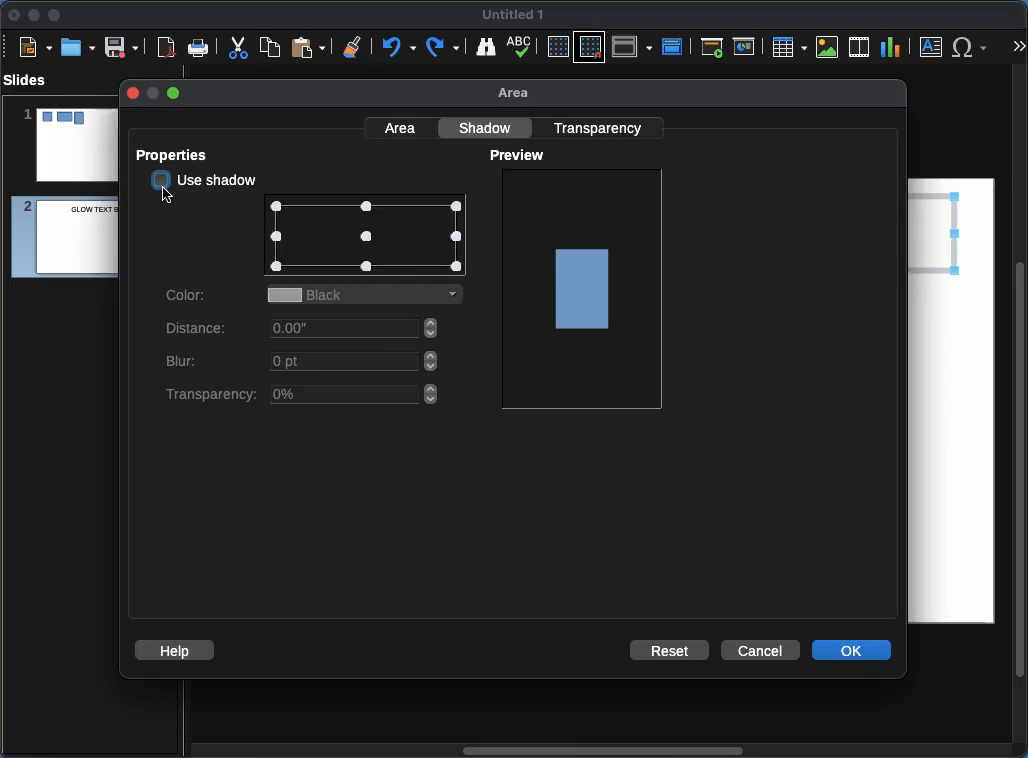  Describe the element at coordinates (31, 80) in the screenshot. I see `Slides` at that location.